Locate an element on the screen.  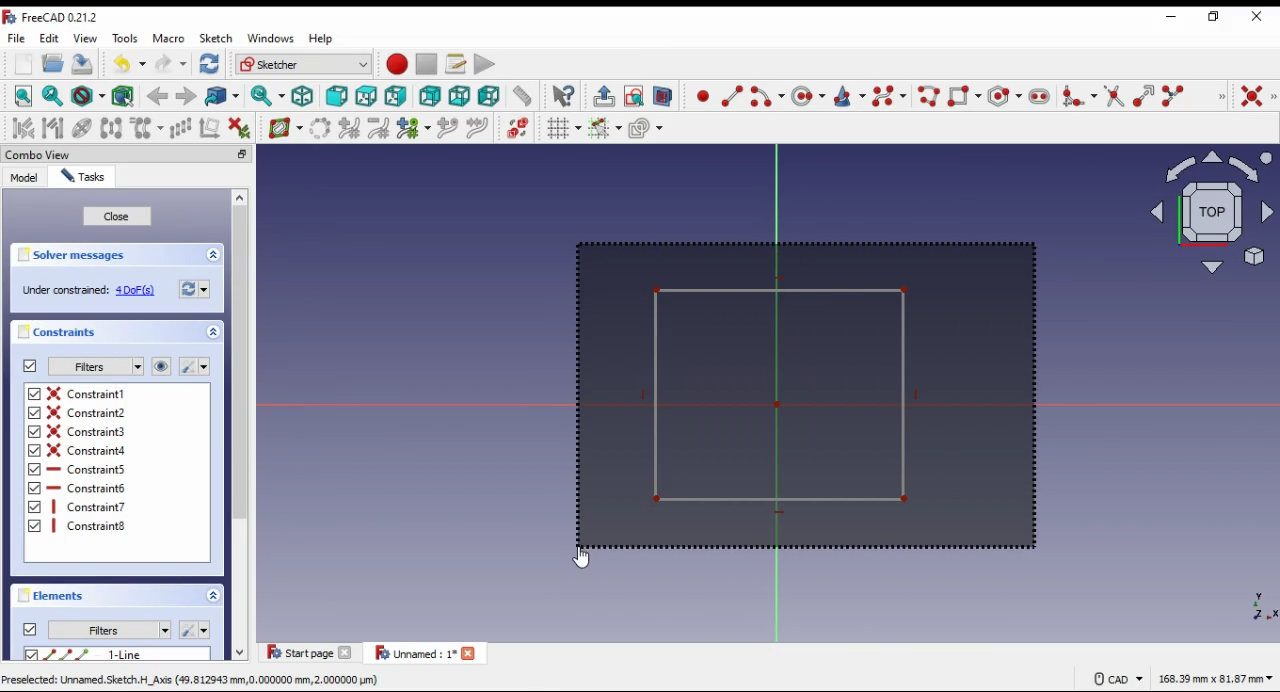
tasks is located at coordinates (84, 176).